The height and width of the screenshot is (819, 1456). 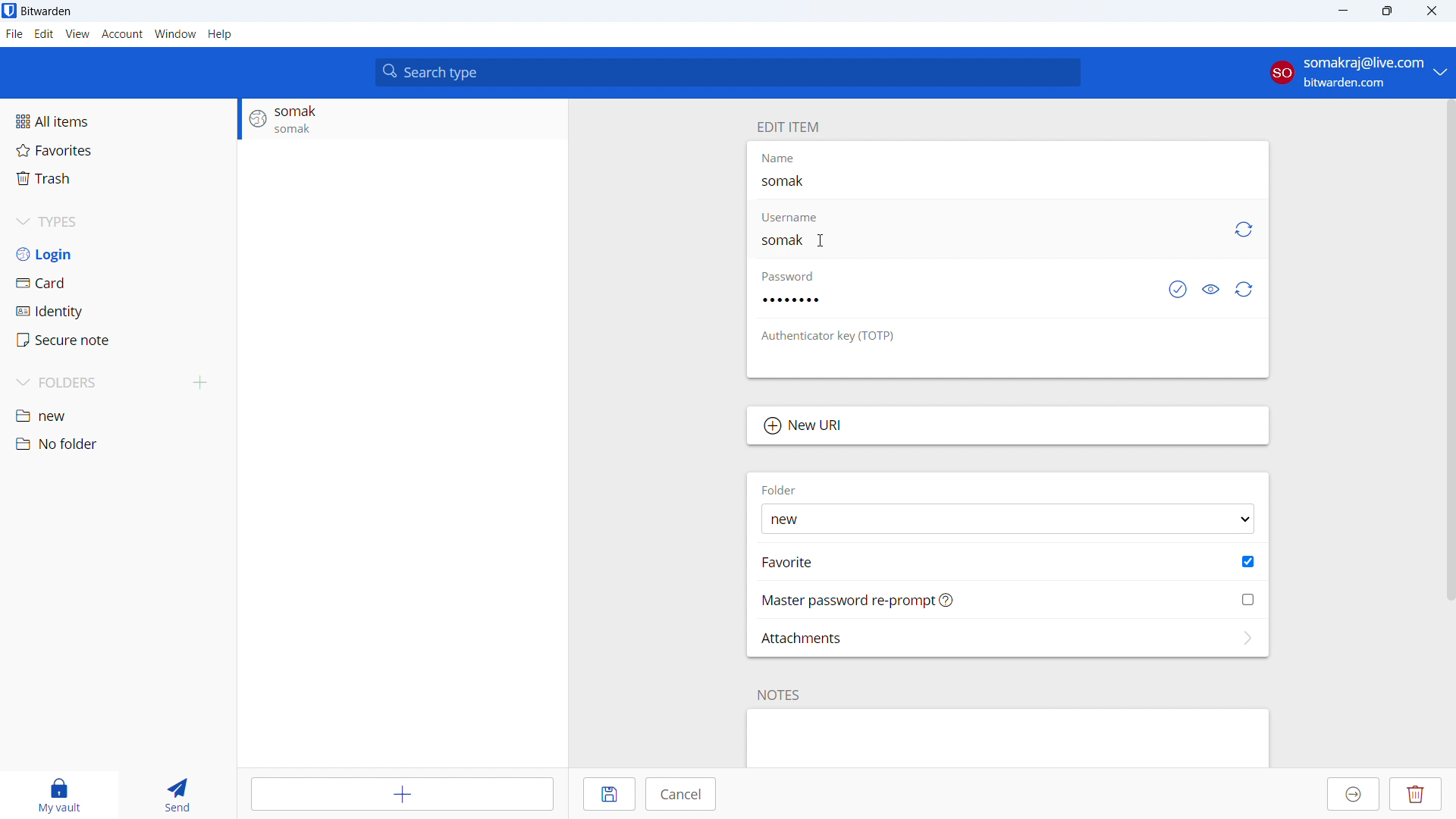 I want to click on CURSOR, so click(x=823, y=238).